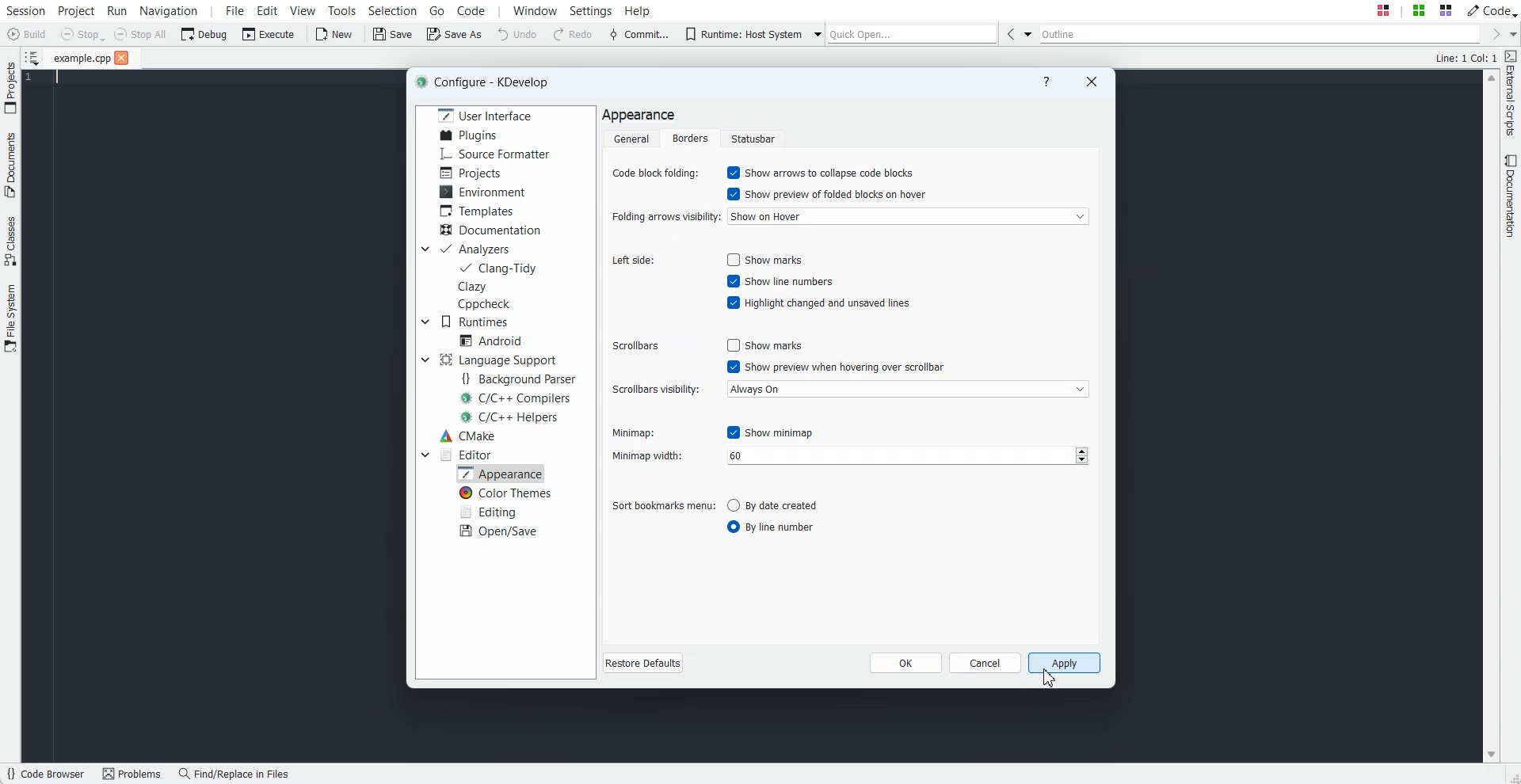 The width and height of the screenshot is (1521, 784). What do you see at coordinates (452, 33) in the screenshot?
I see `Save As` at bounding box center [452, 33].